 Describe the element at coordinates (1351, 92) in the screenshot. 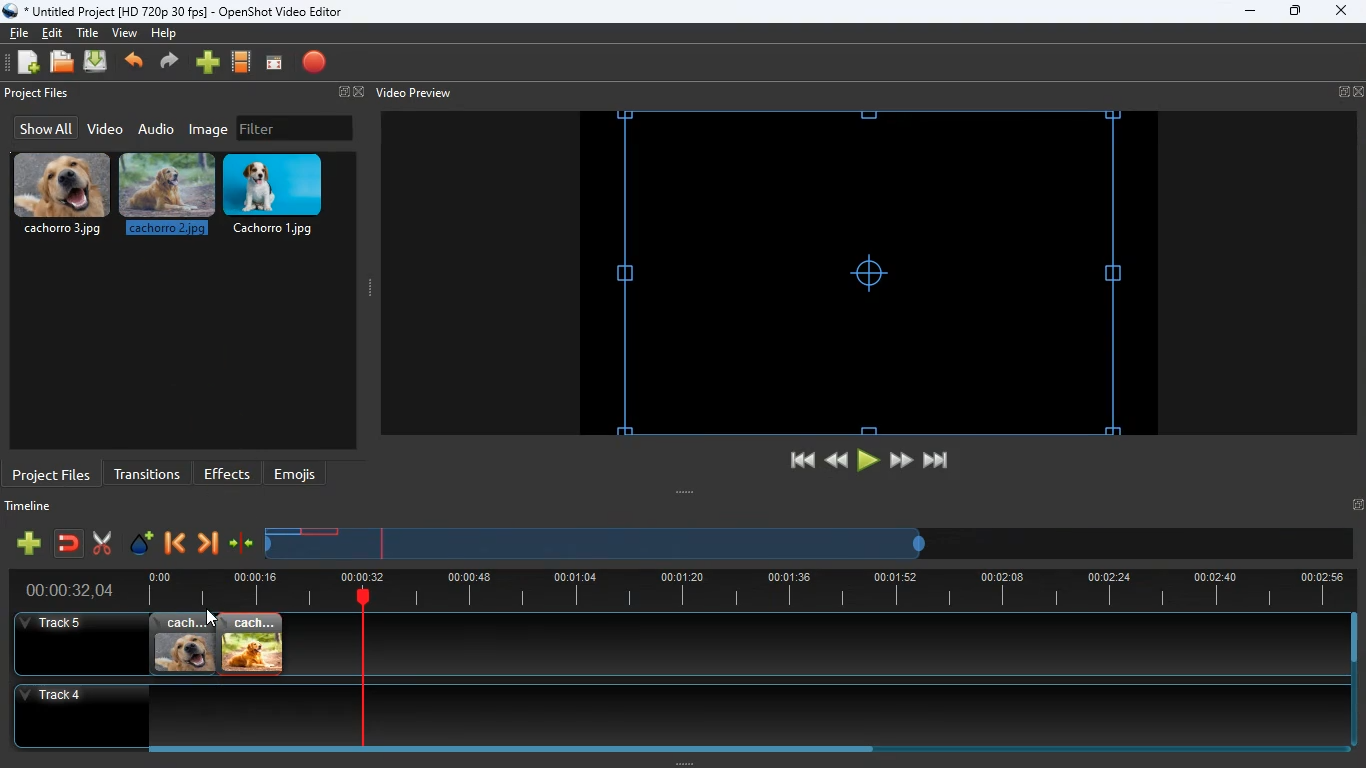

I see `fullscreen` at that location.